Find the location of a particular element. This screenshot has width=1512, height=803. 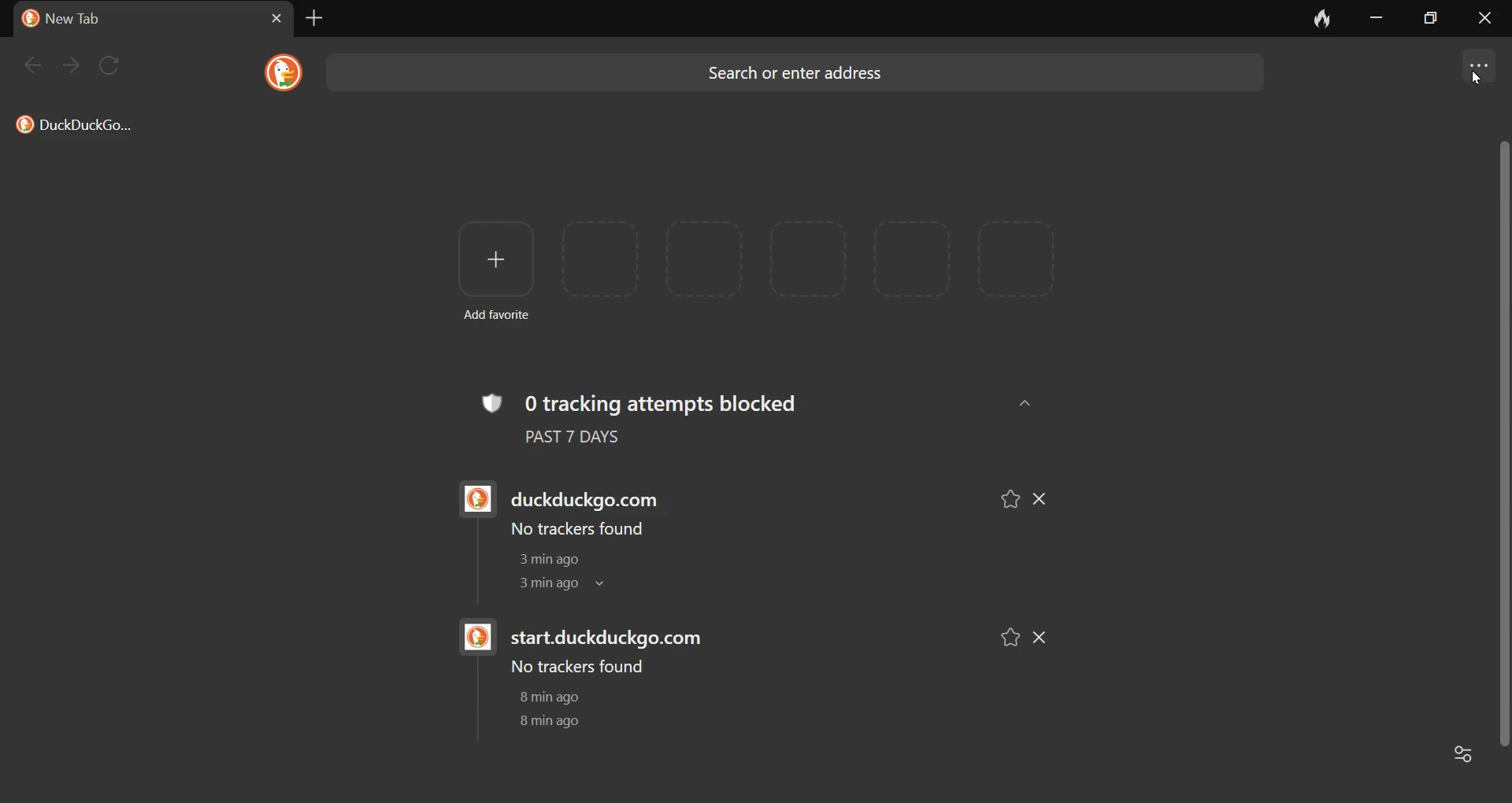

DuckDuckGo. is located at coordinates (77, 128).